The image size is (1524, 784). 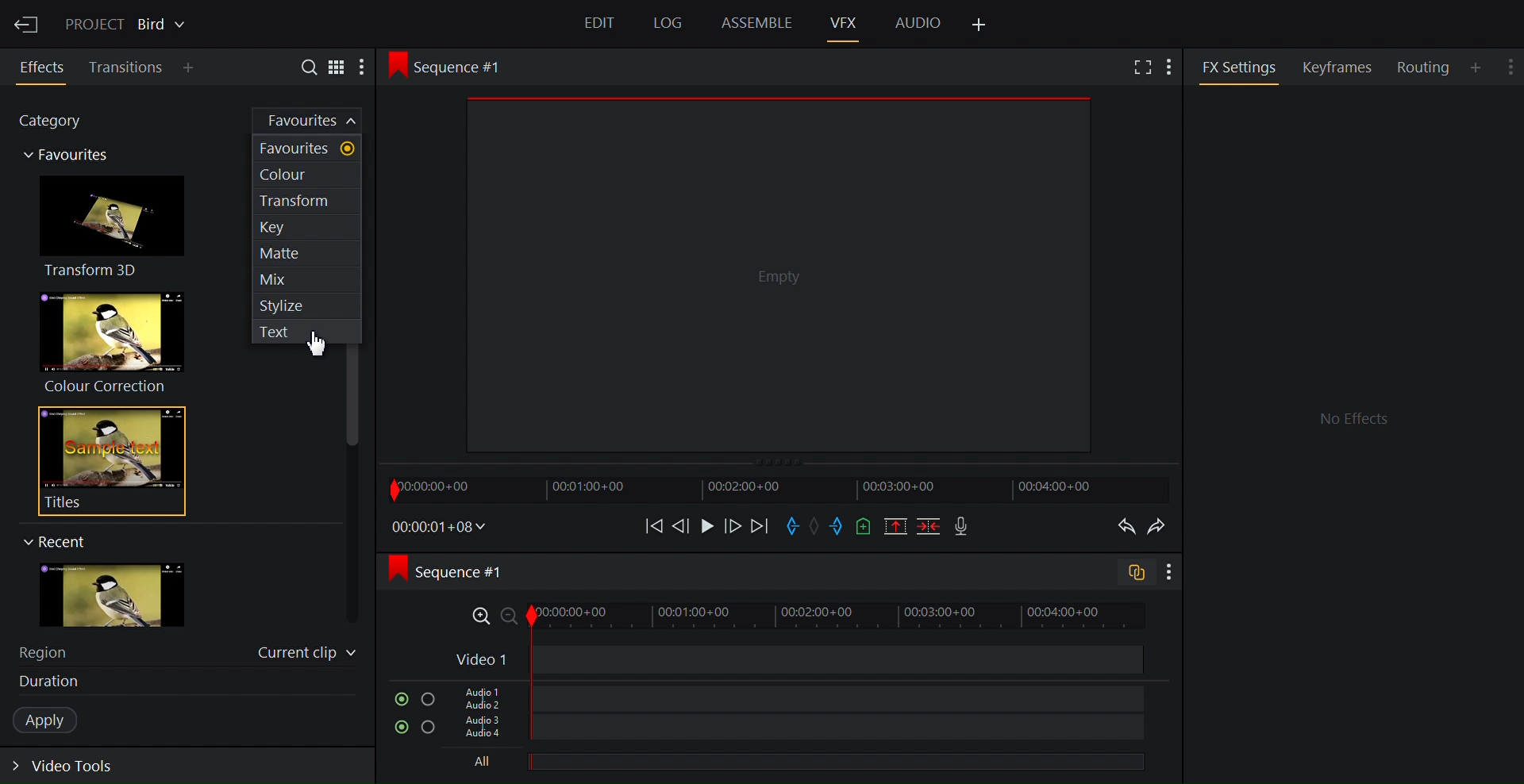 I want to click on Keyframes, so click(x=1344, y=67).